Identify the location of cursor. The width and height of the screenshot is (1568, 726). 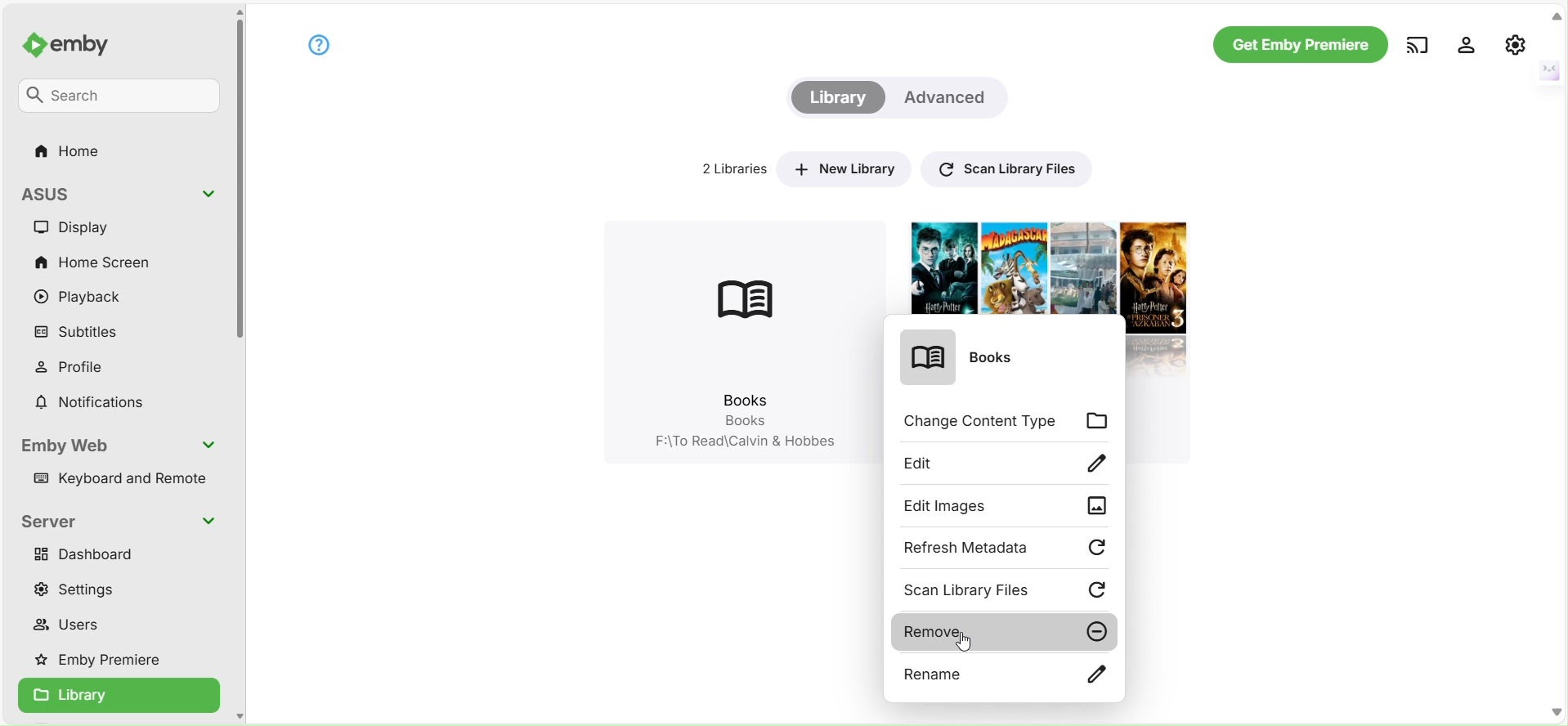
(968, 641).